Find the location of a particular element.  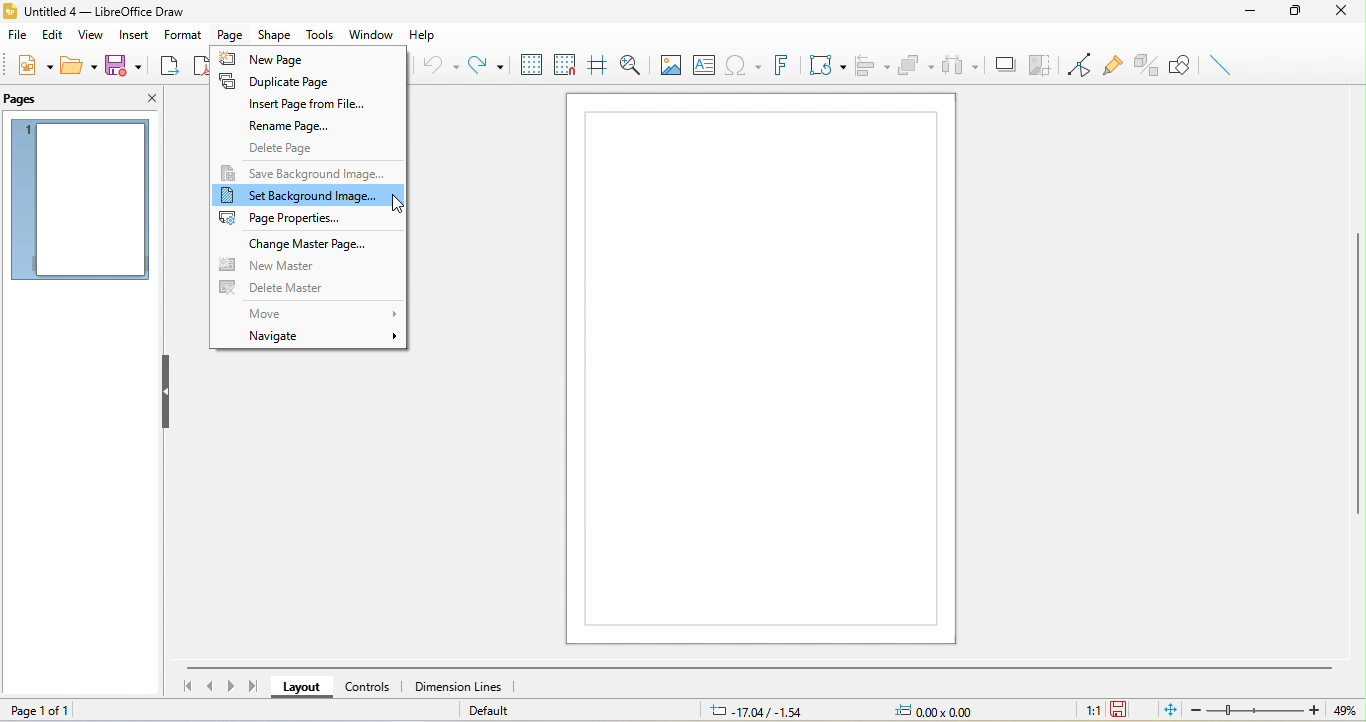

file is located at coordinates (20, 36).